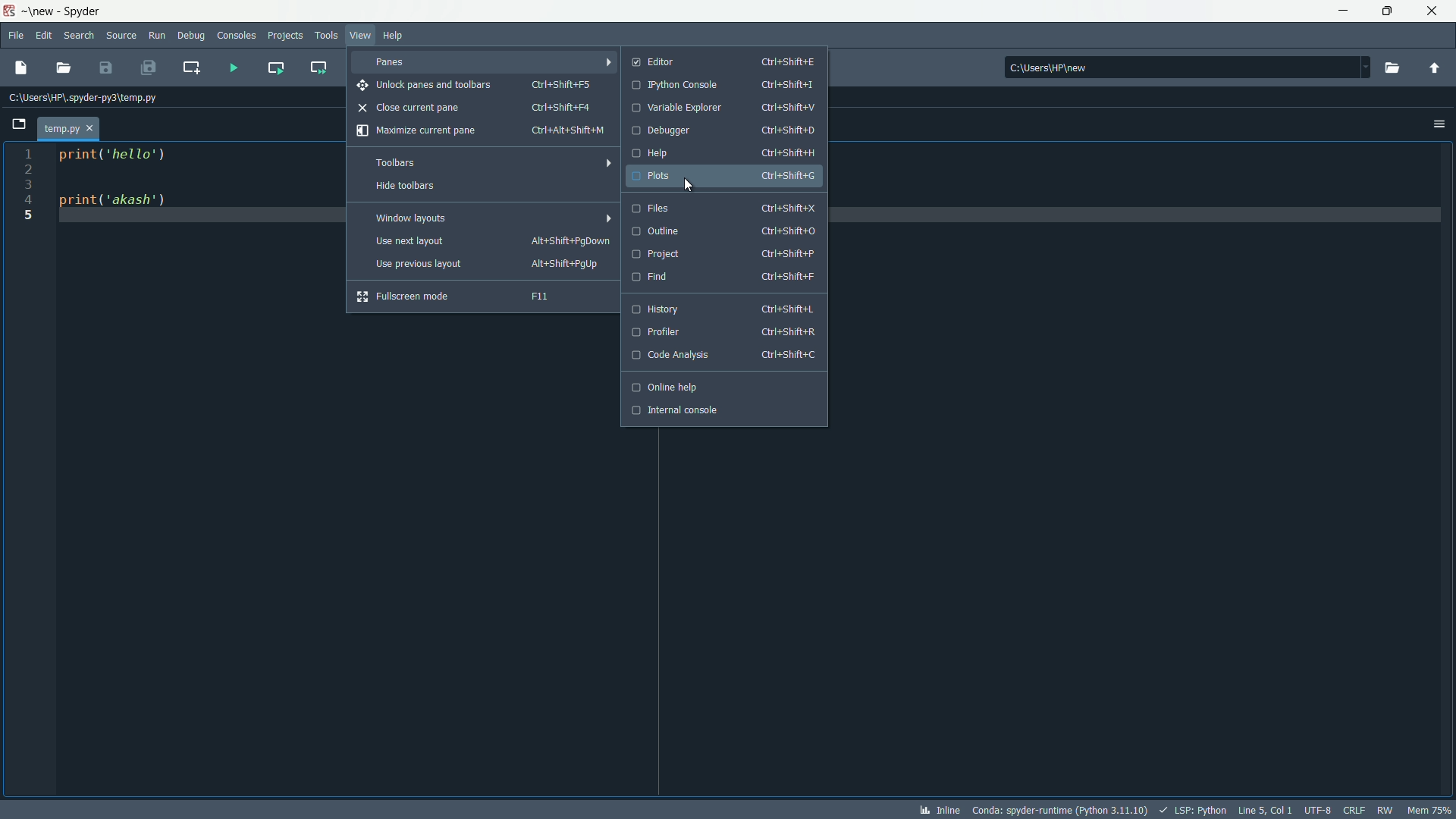 This screenshot has width=1456, height=819. I want to click on use previous layout, so click(488, 265).